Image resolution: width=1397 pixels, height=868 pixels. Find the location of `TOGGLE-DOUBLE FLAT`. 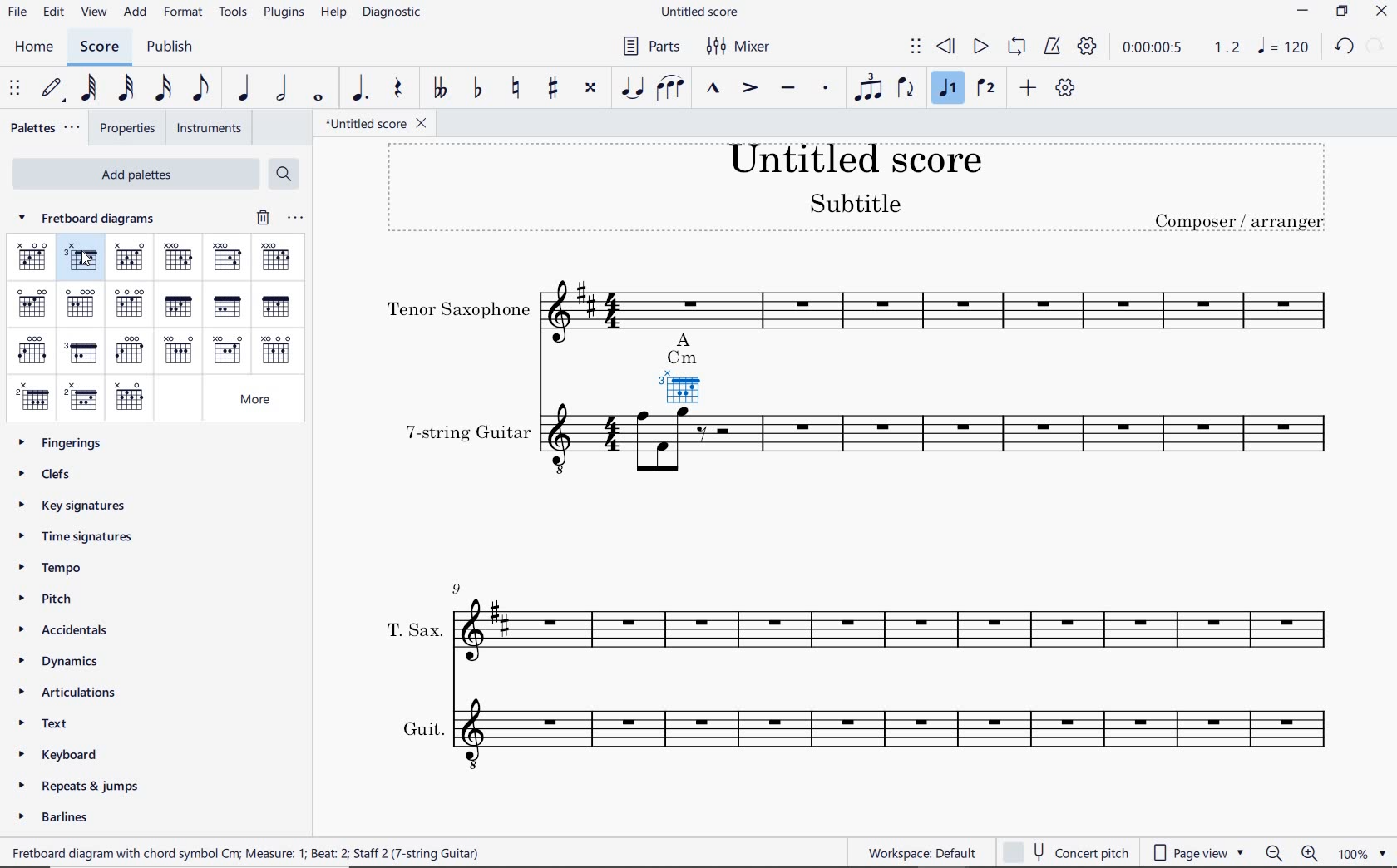

TOGGLE-DOUBLE FLAT is located at coordinates (438, 86).